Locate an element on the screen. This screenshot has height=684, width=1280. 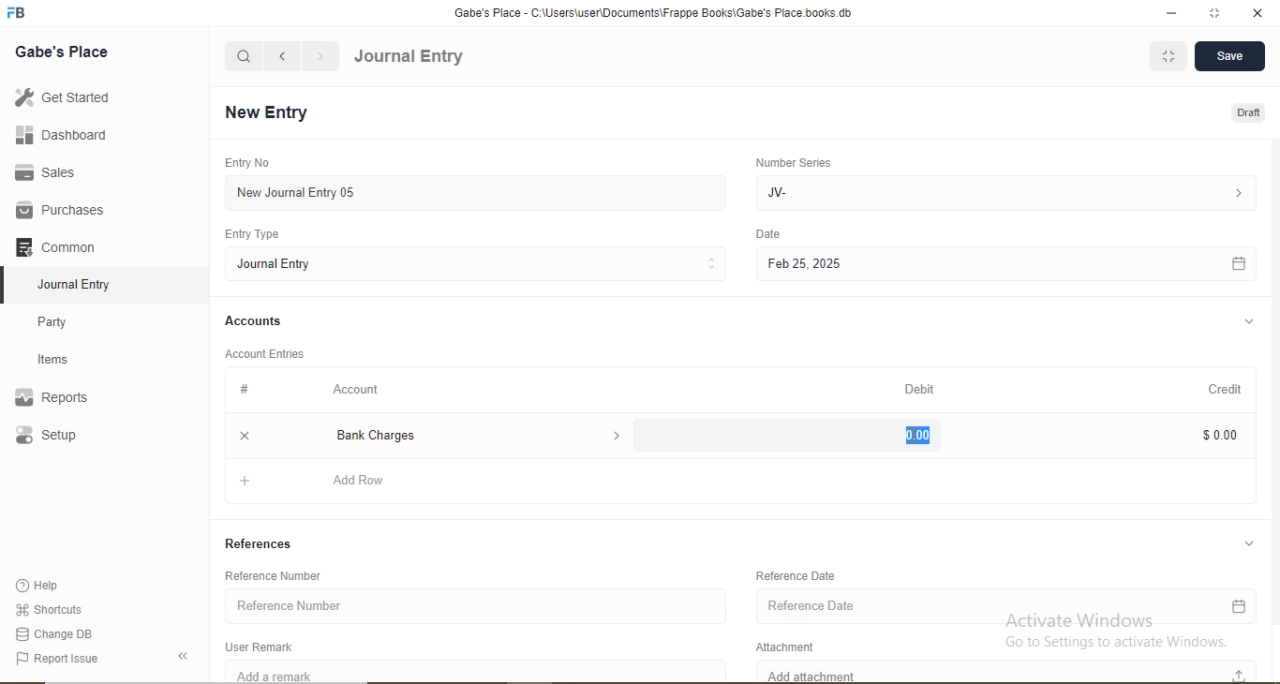
resize is located at coordinates (1212, 13).